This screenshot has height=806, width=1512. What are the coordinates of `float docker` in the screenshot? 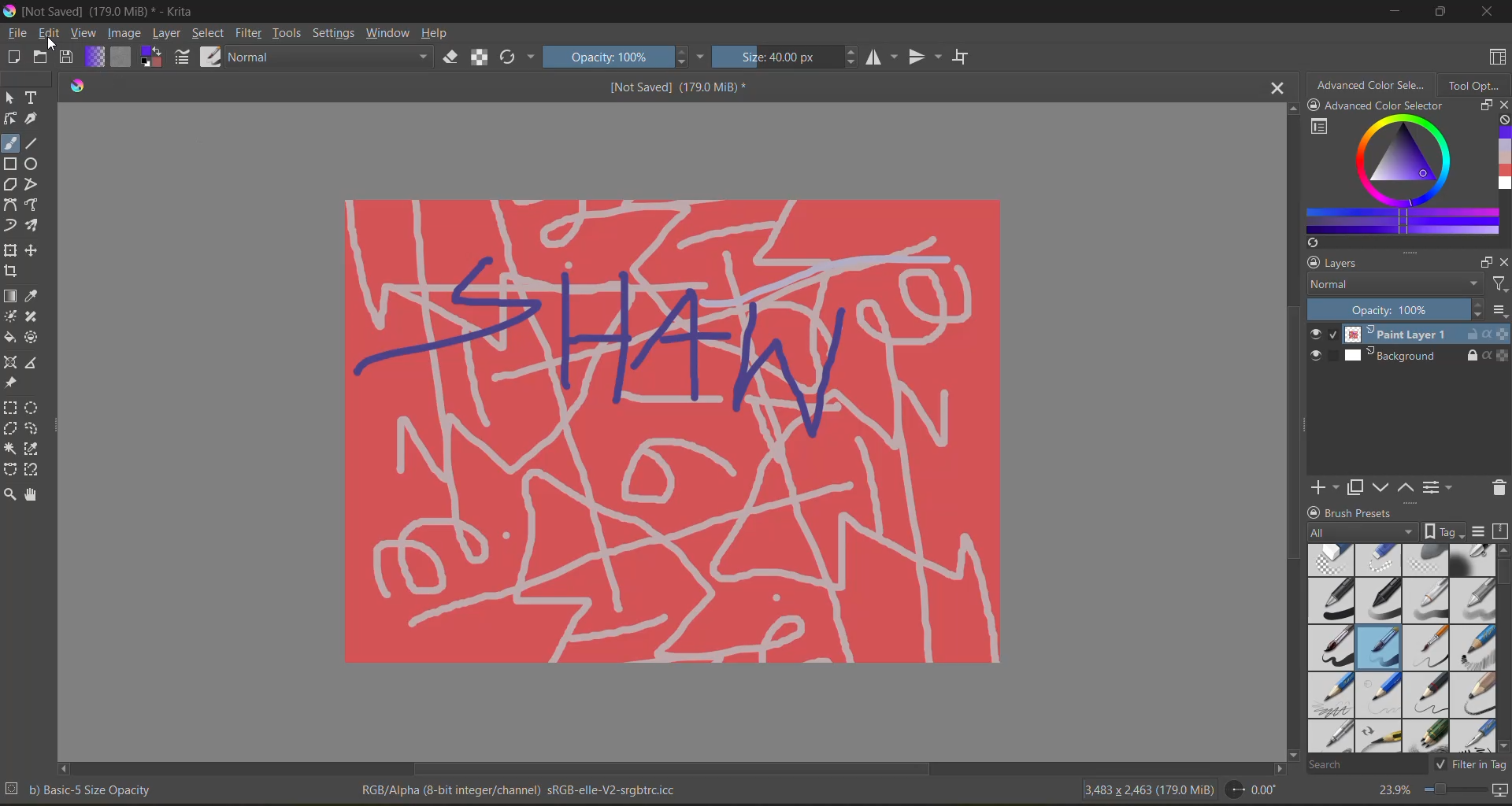 It's located at (1484, 105).